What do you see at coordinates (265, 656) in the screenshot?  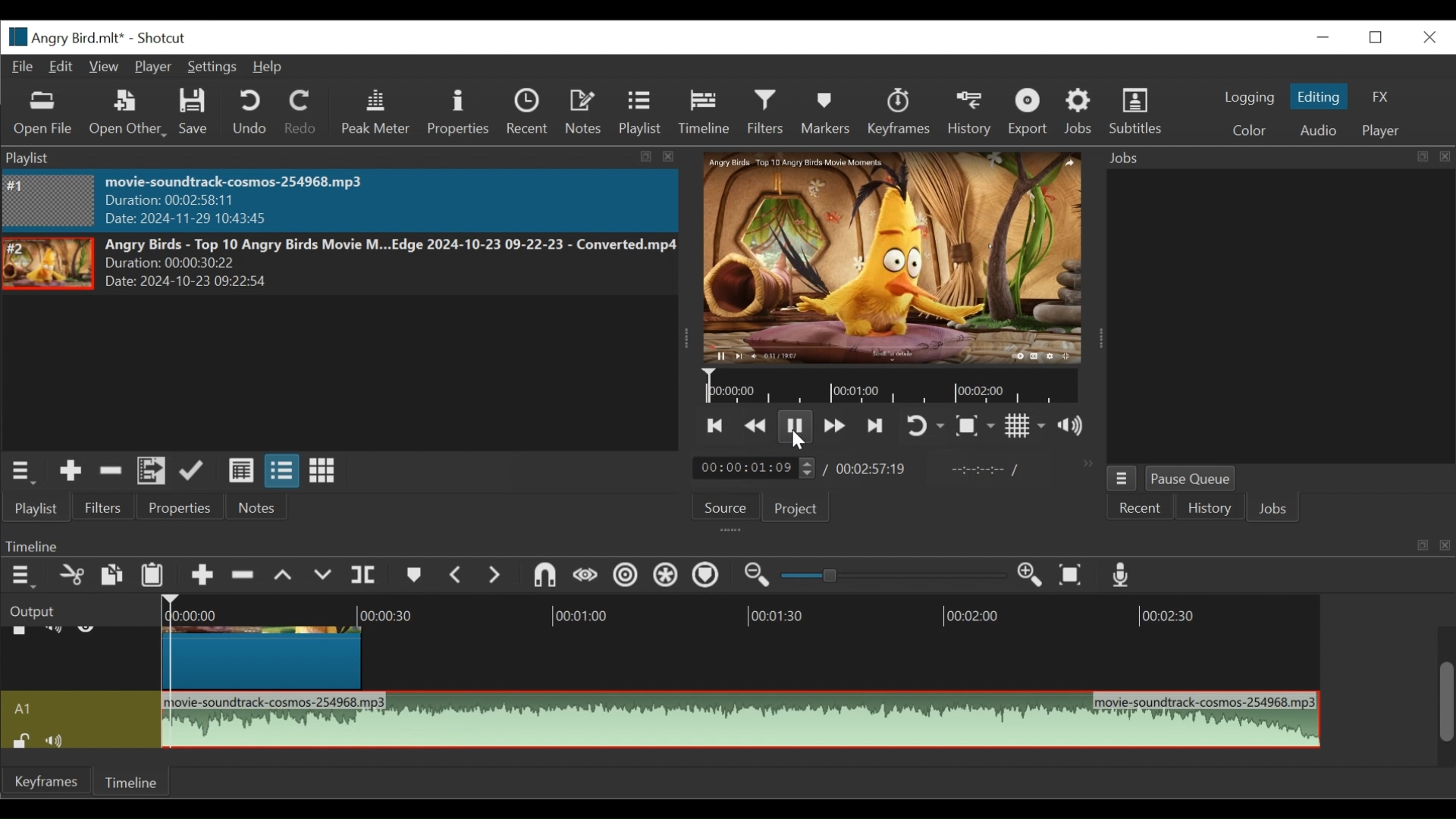 I see `Angry Birds - Top(Clip)` at bounding box center [265, 656].